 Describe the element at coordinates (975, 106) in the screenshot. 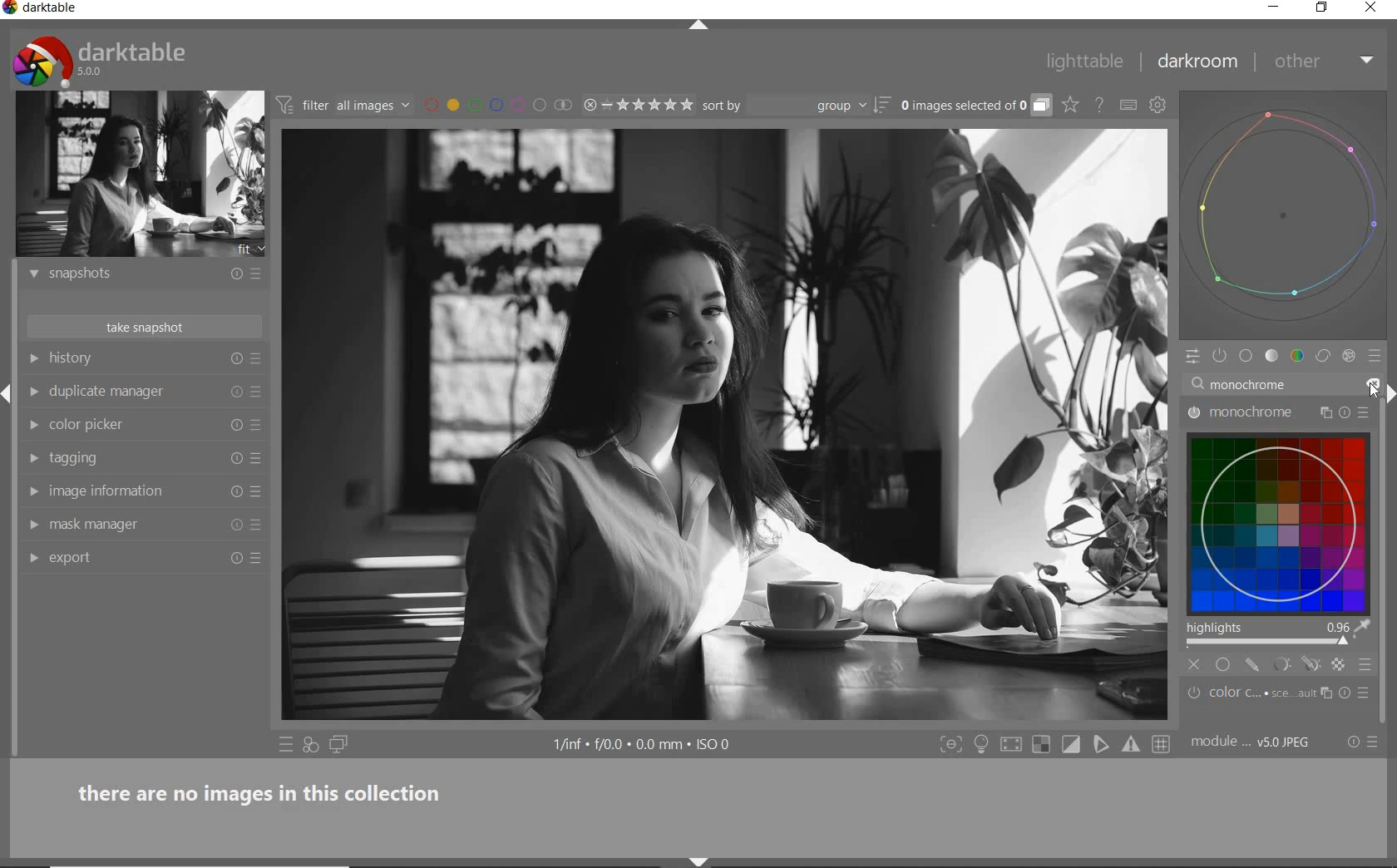

I see `expand grouped images` at that location.